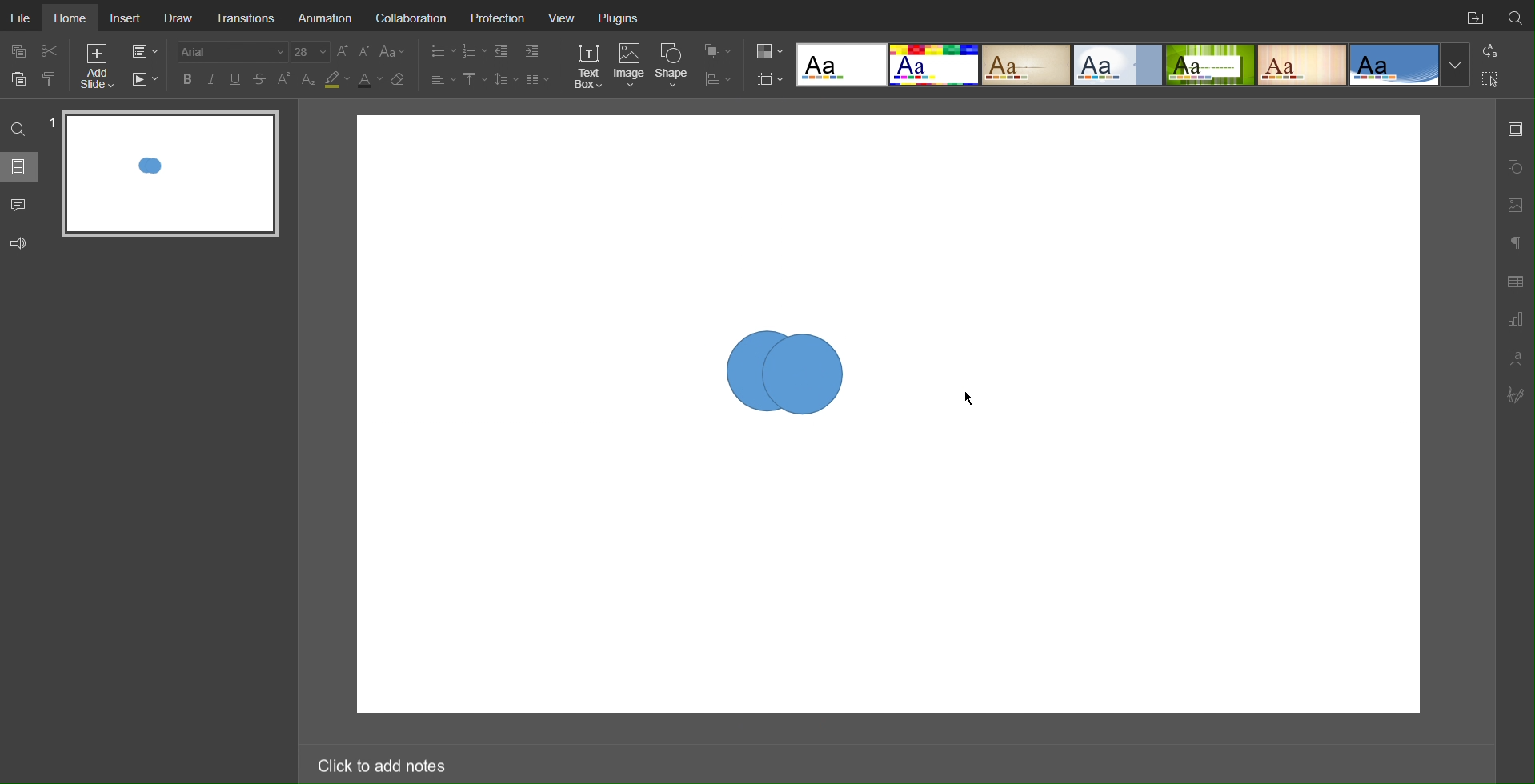  I want to click on View, so click(566, 20).